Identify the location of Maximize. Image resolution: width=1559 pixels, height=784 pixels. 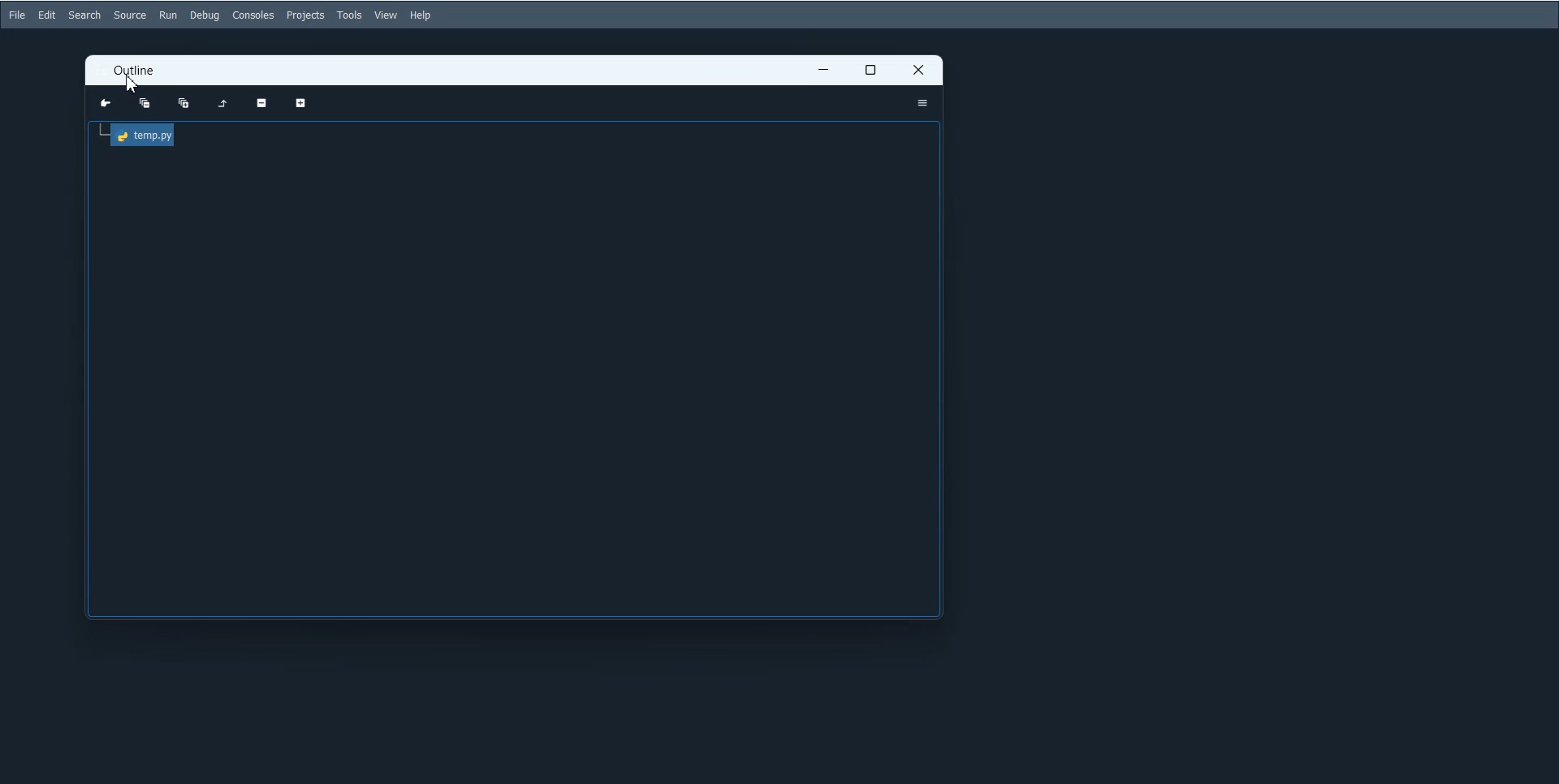
(871, 71).